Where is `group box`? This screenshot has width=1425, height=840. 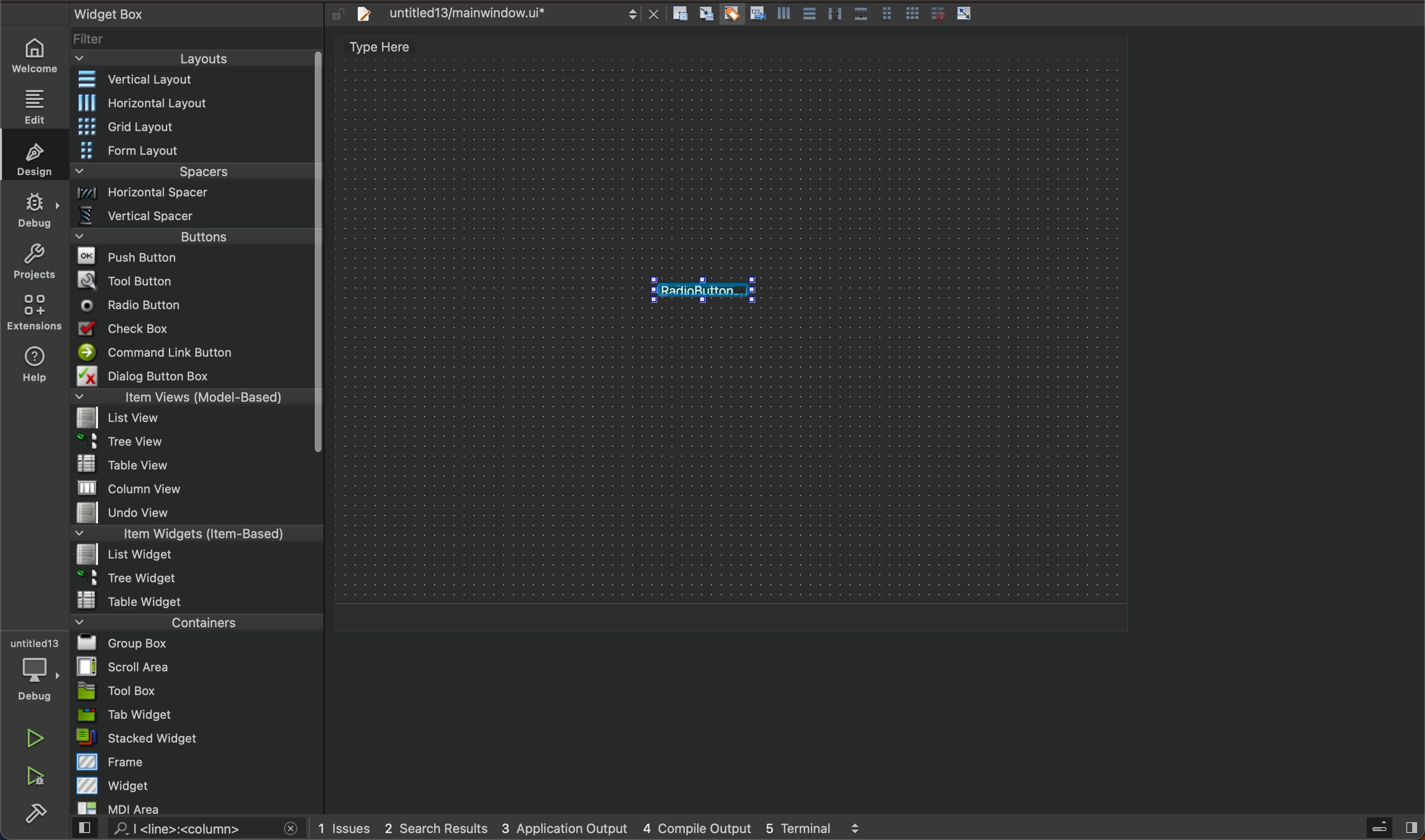 group box is located at coordinates (198, 642).